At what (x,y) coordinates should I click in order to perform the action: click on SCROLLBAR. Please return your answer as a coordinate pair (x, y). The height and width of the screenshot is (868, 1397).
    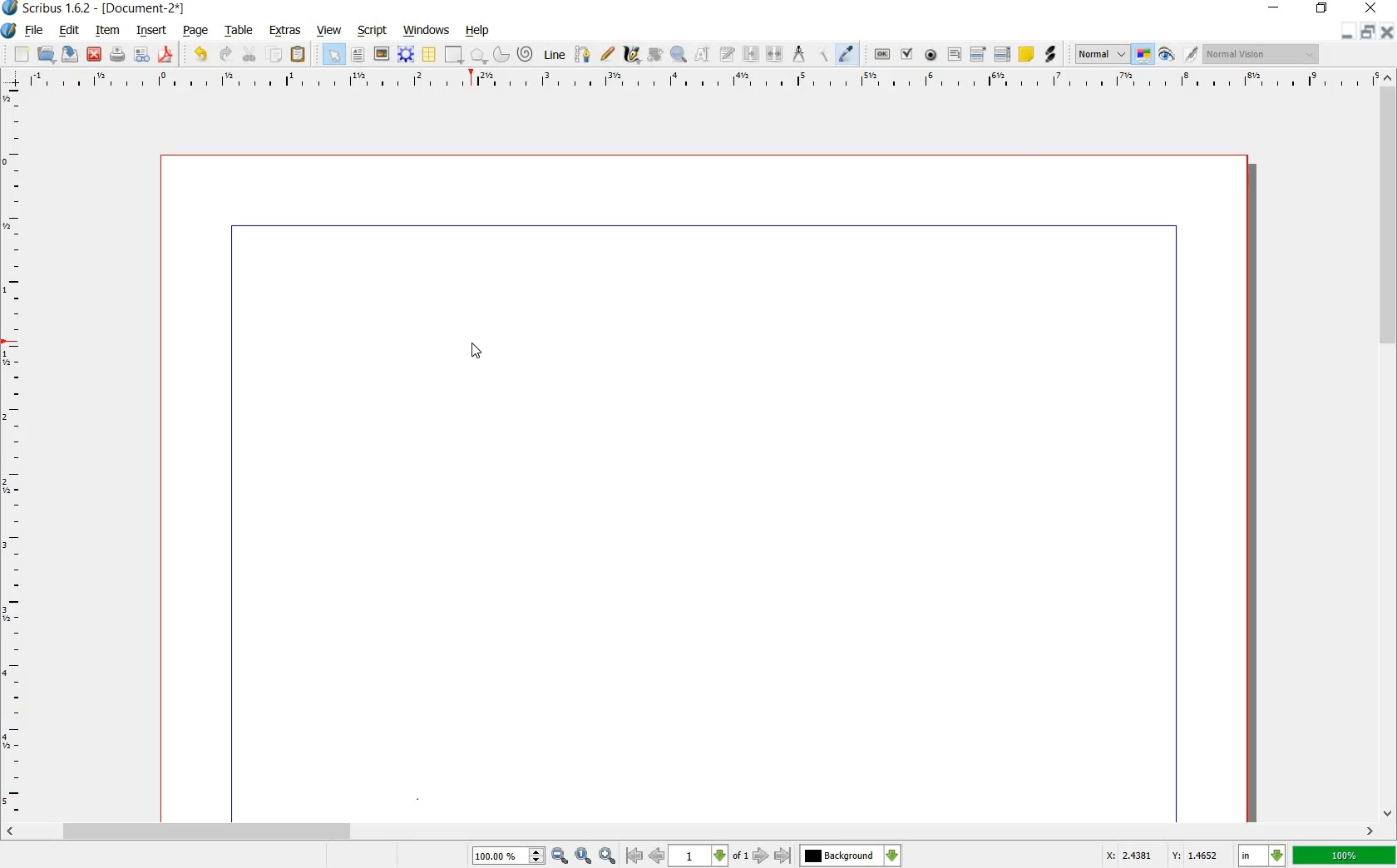
    Looking at the image, I should click on (690, 831).